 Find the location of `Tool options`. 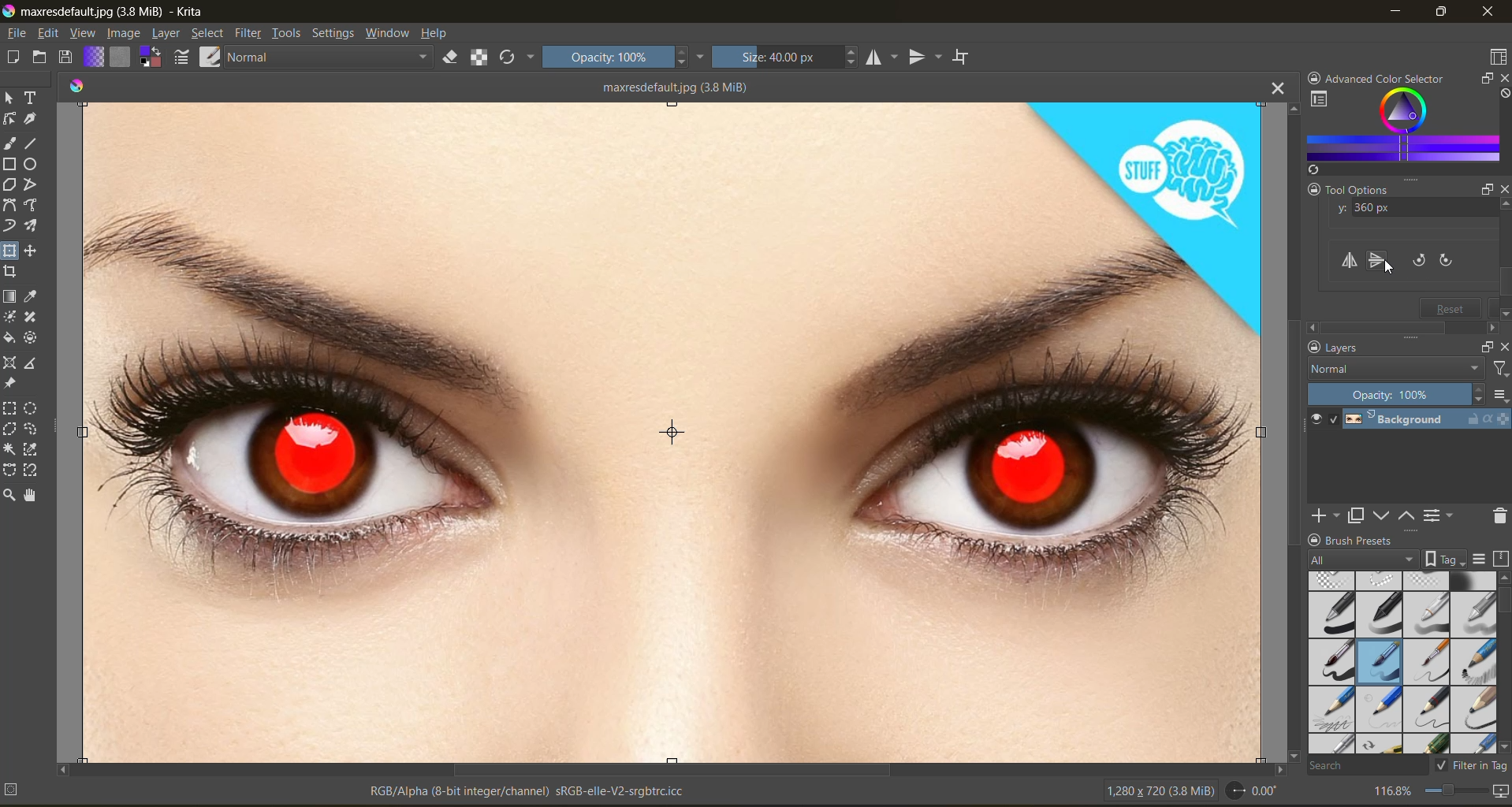

Tool options is located at coordinates (1372, 188).